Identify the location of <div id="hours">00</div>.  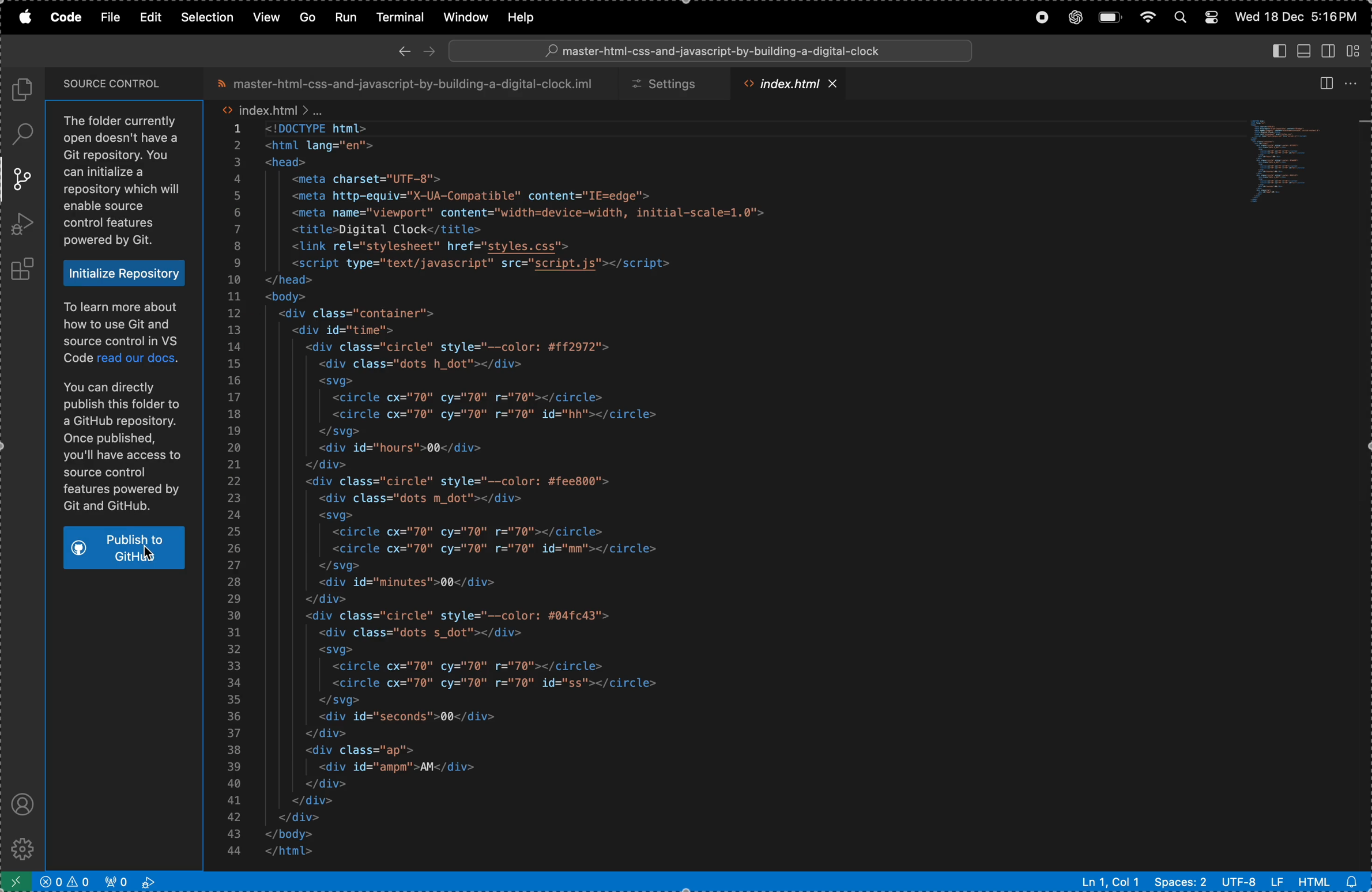
(409, 448).